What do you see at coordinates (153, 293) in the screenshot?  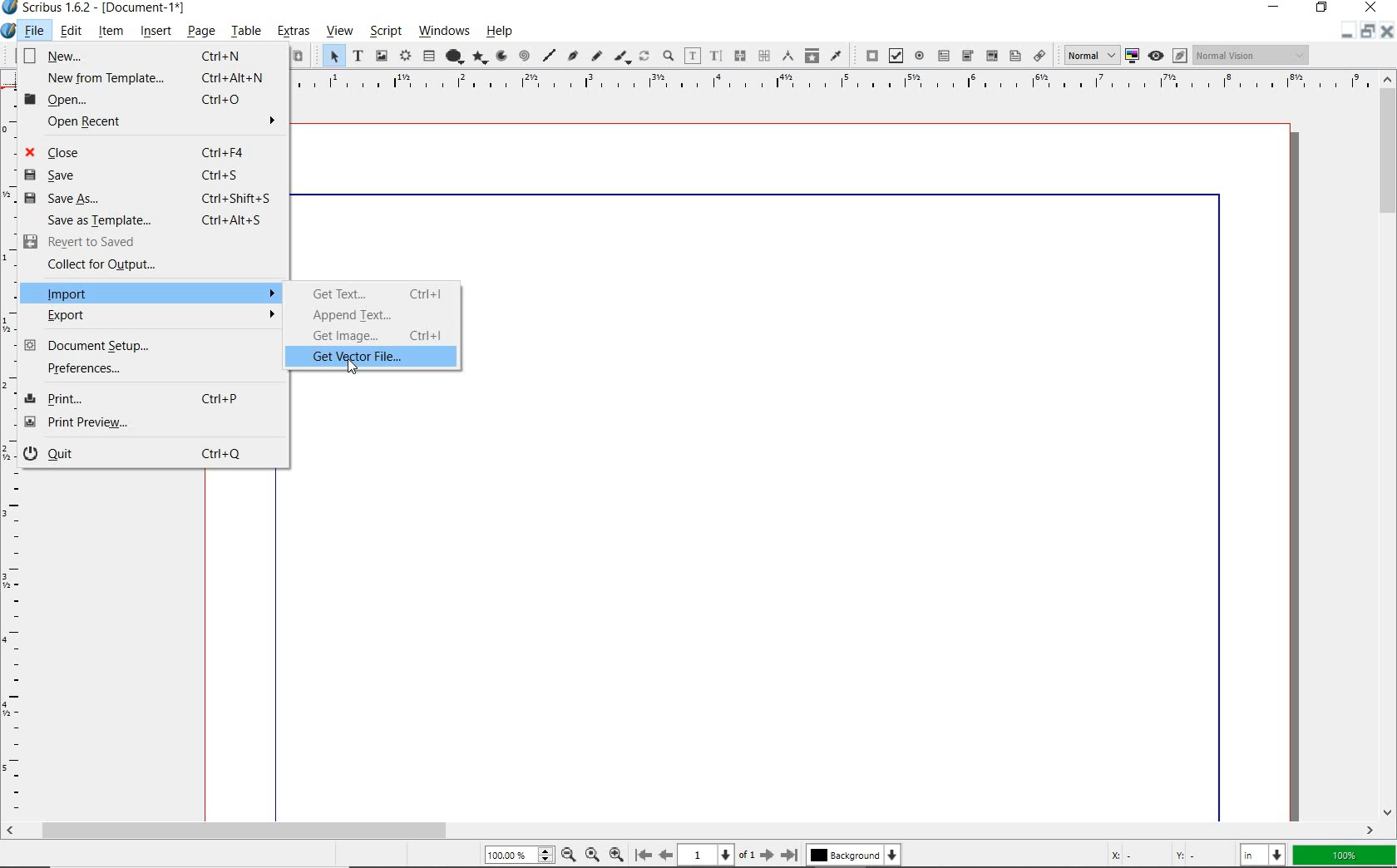 I see `Import` at bounding box center [153, 293].